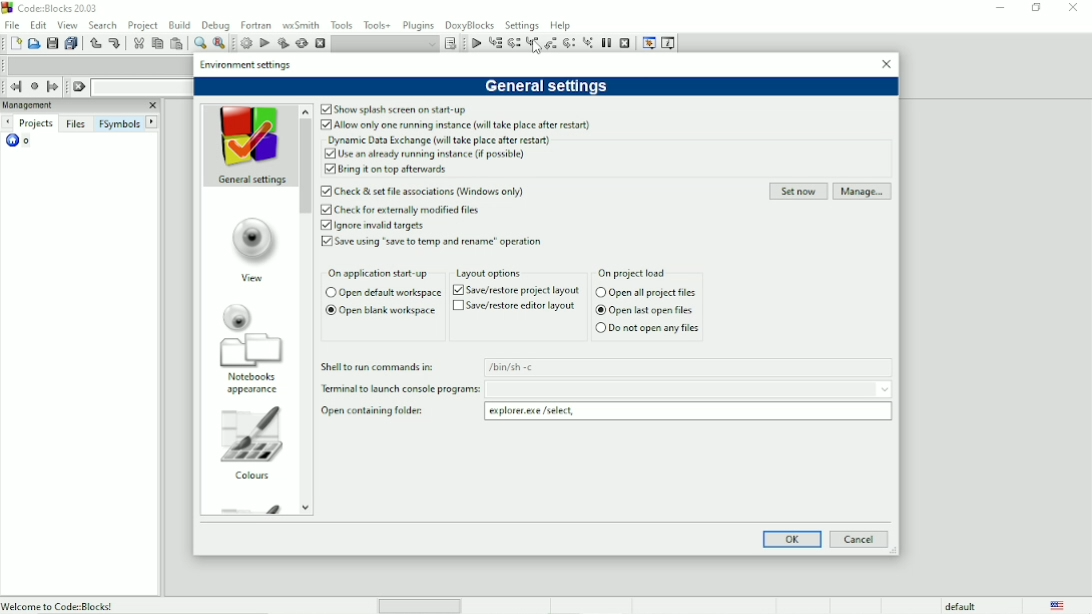  Describe the element at coordinates (475, 43) in the screenshot. I see `Debug/Continue` at that location.